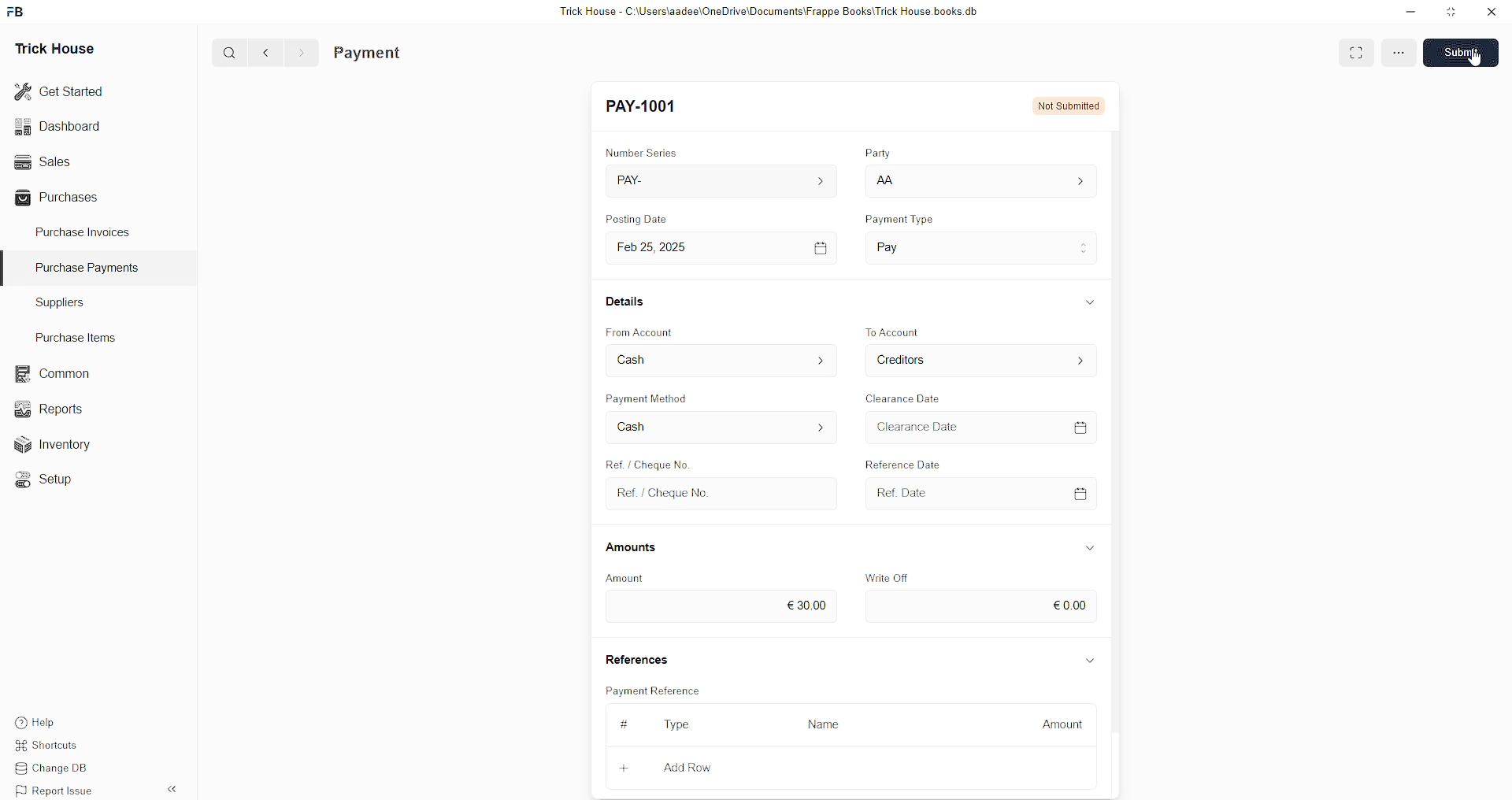 The image size is (1512, 800). I want to click on minimise window, so click(1450, 13).